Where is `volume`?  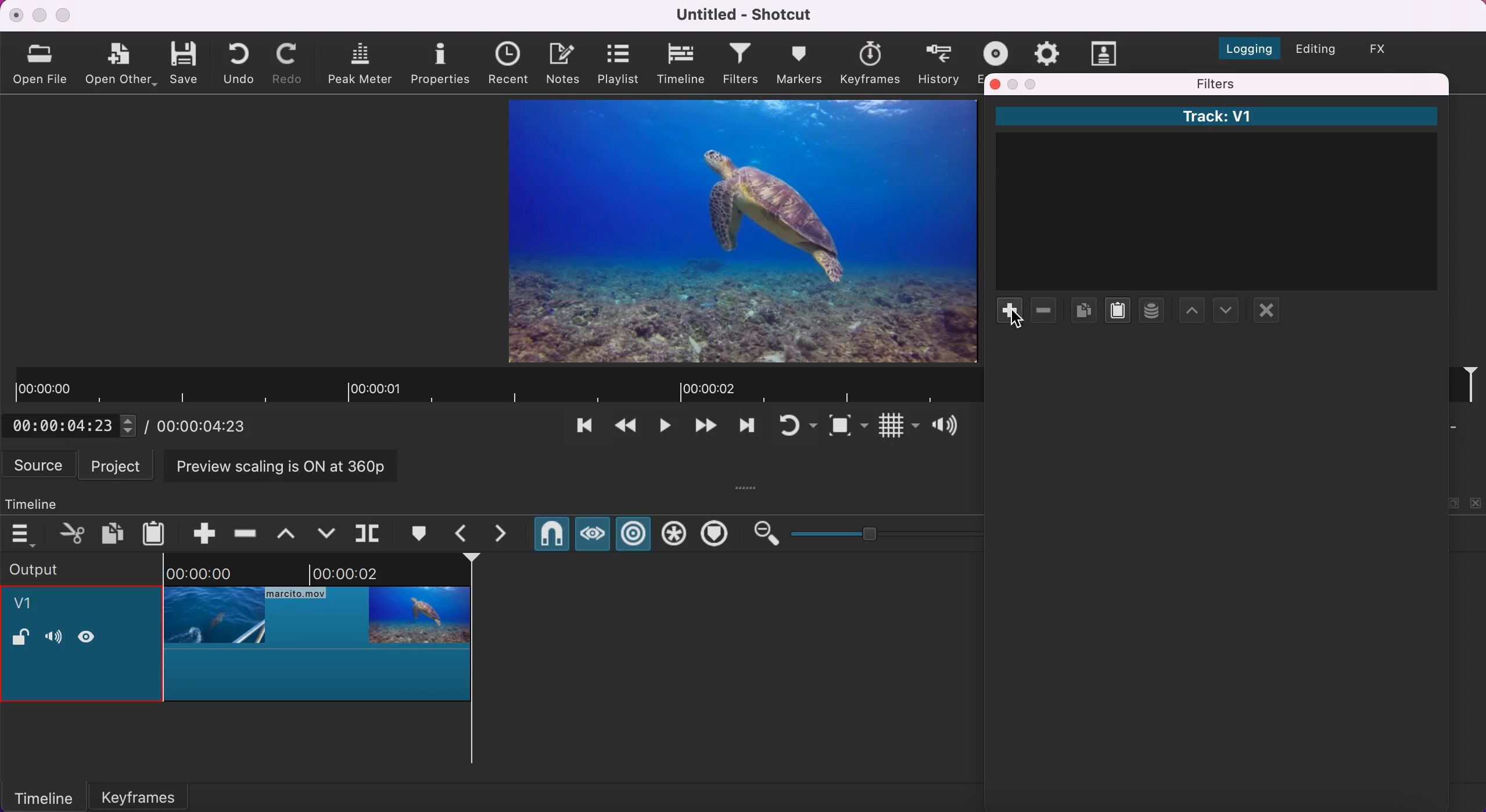 volume is located at coordinates (53, 638).